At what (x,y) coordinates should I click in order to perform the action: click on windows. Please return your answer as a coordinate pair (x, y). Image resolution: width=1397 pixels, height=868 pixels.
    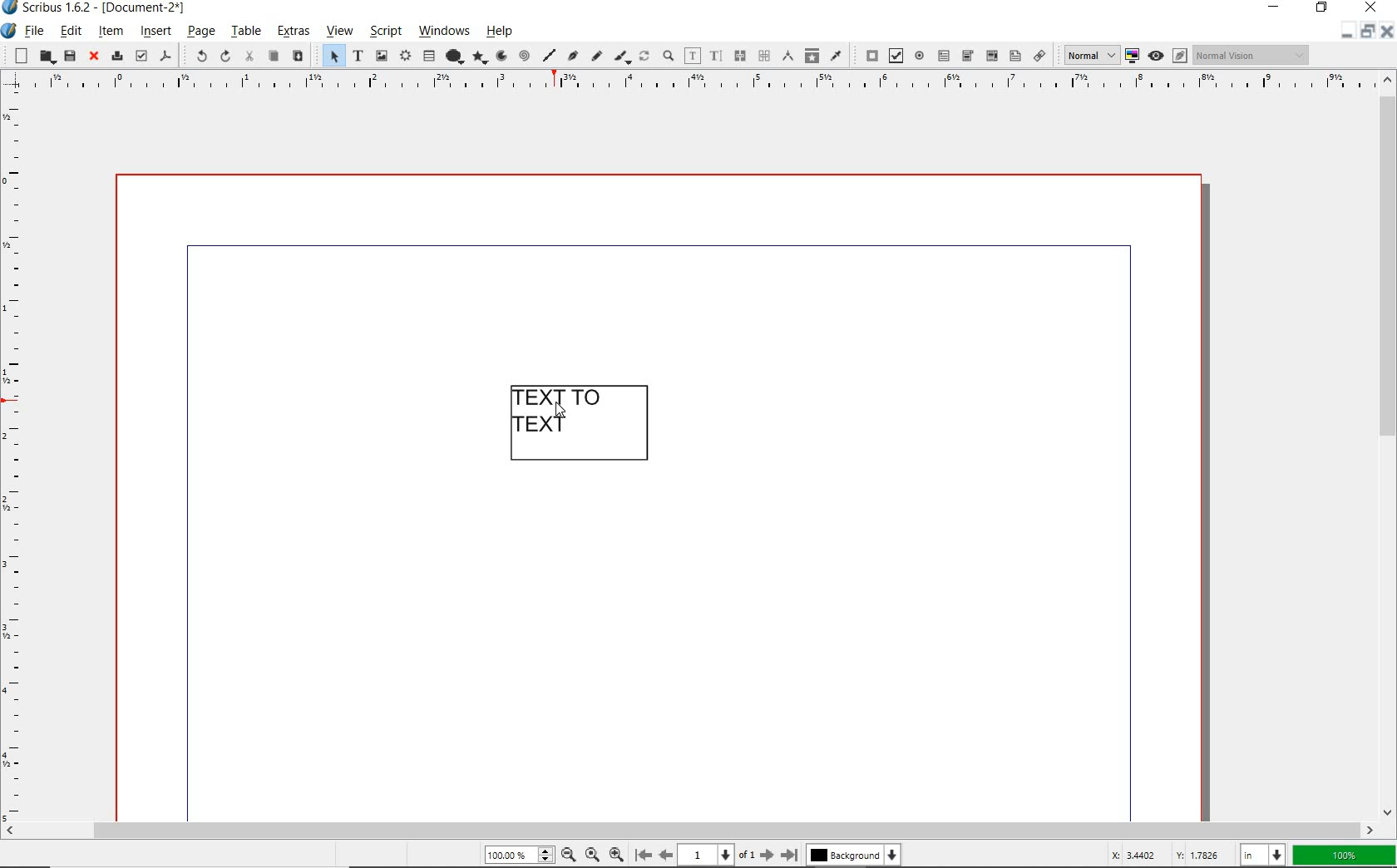
    Looking at the image, I should click on (444, 32).